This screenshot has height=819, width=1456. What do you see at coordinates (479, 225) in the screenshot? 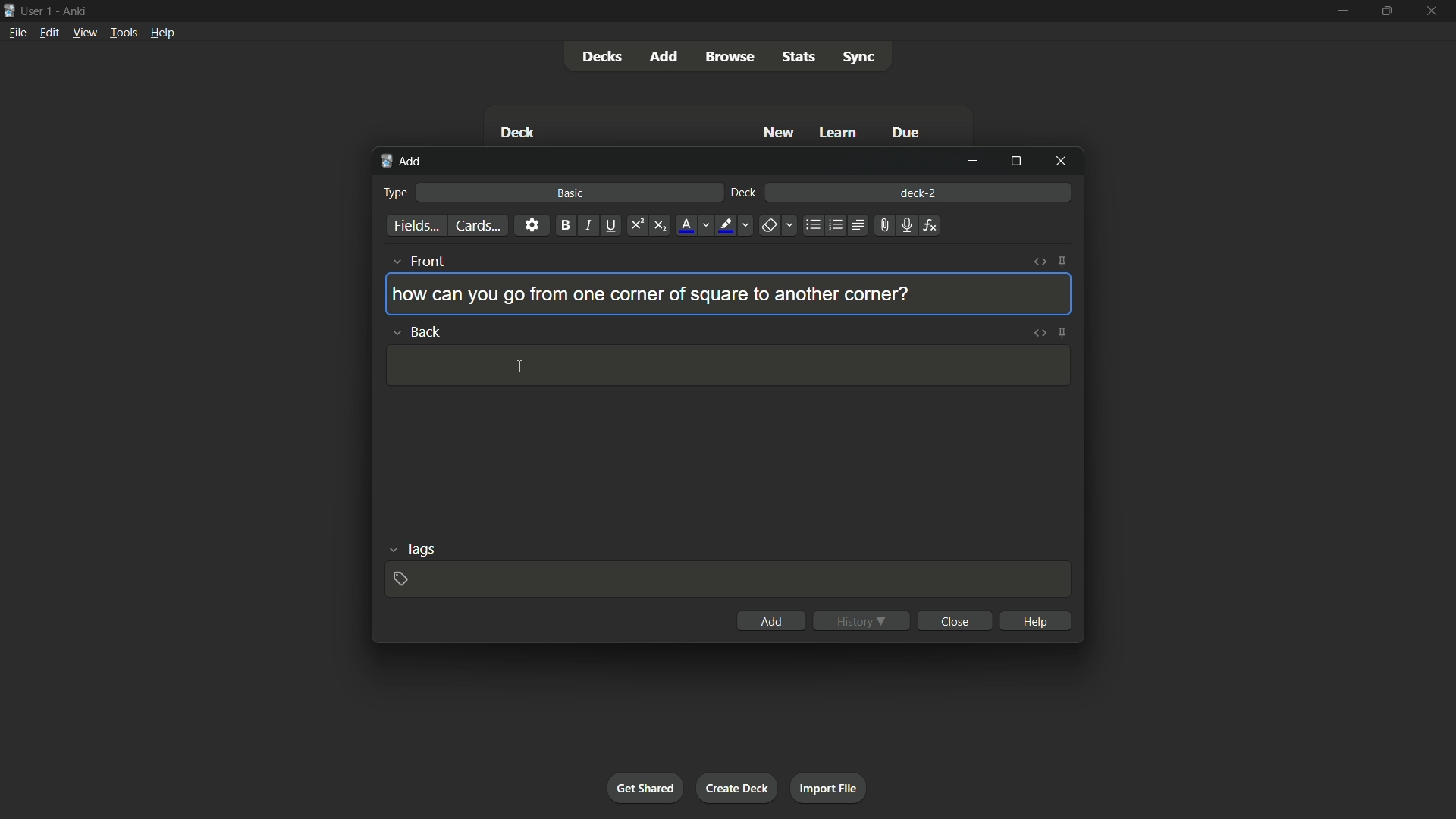
I see `cards` at bounding box center [479, 225].